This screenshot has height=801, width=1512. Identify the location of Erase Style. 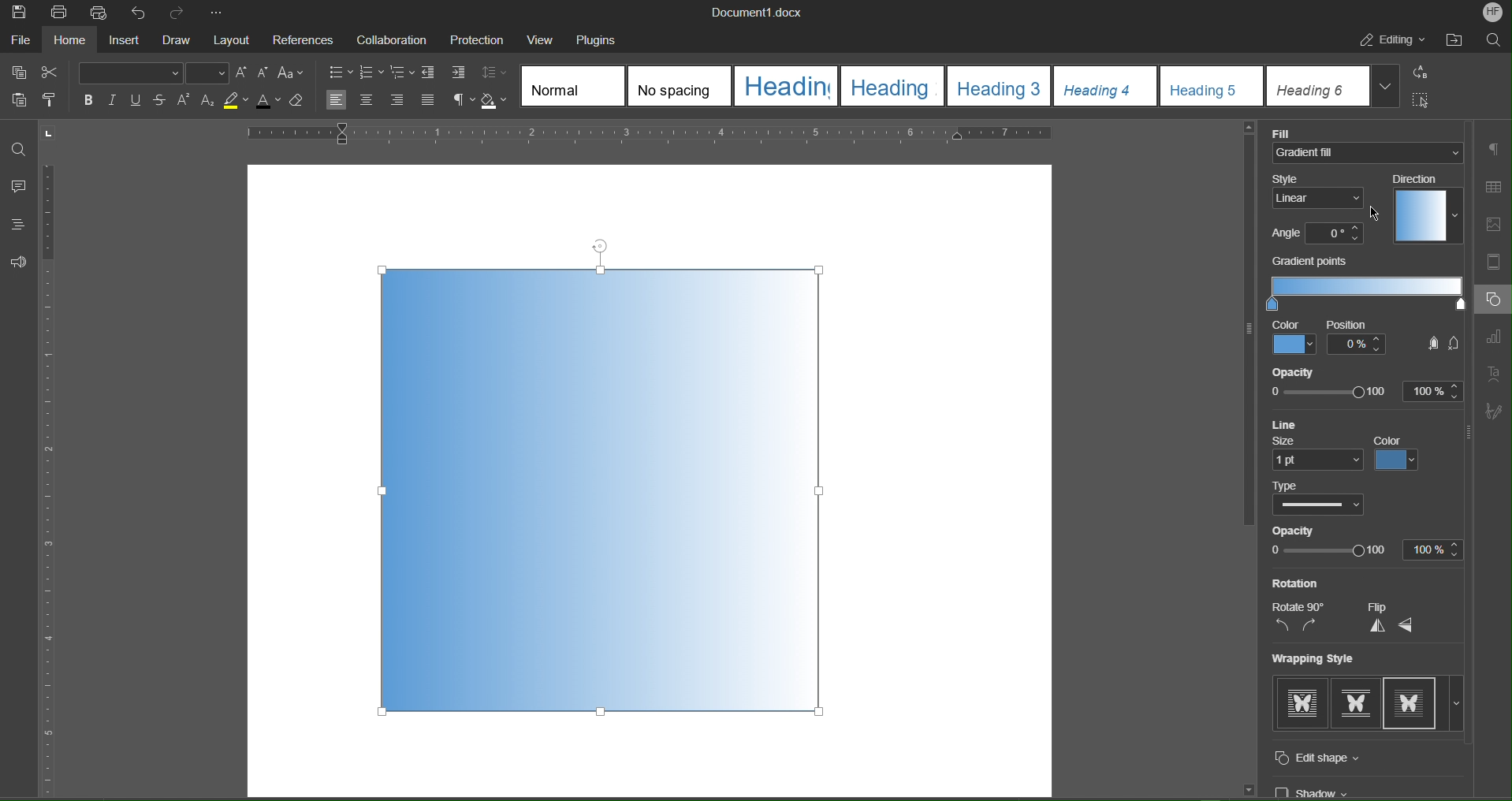
(298, 102).